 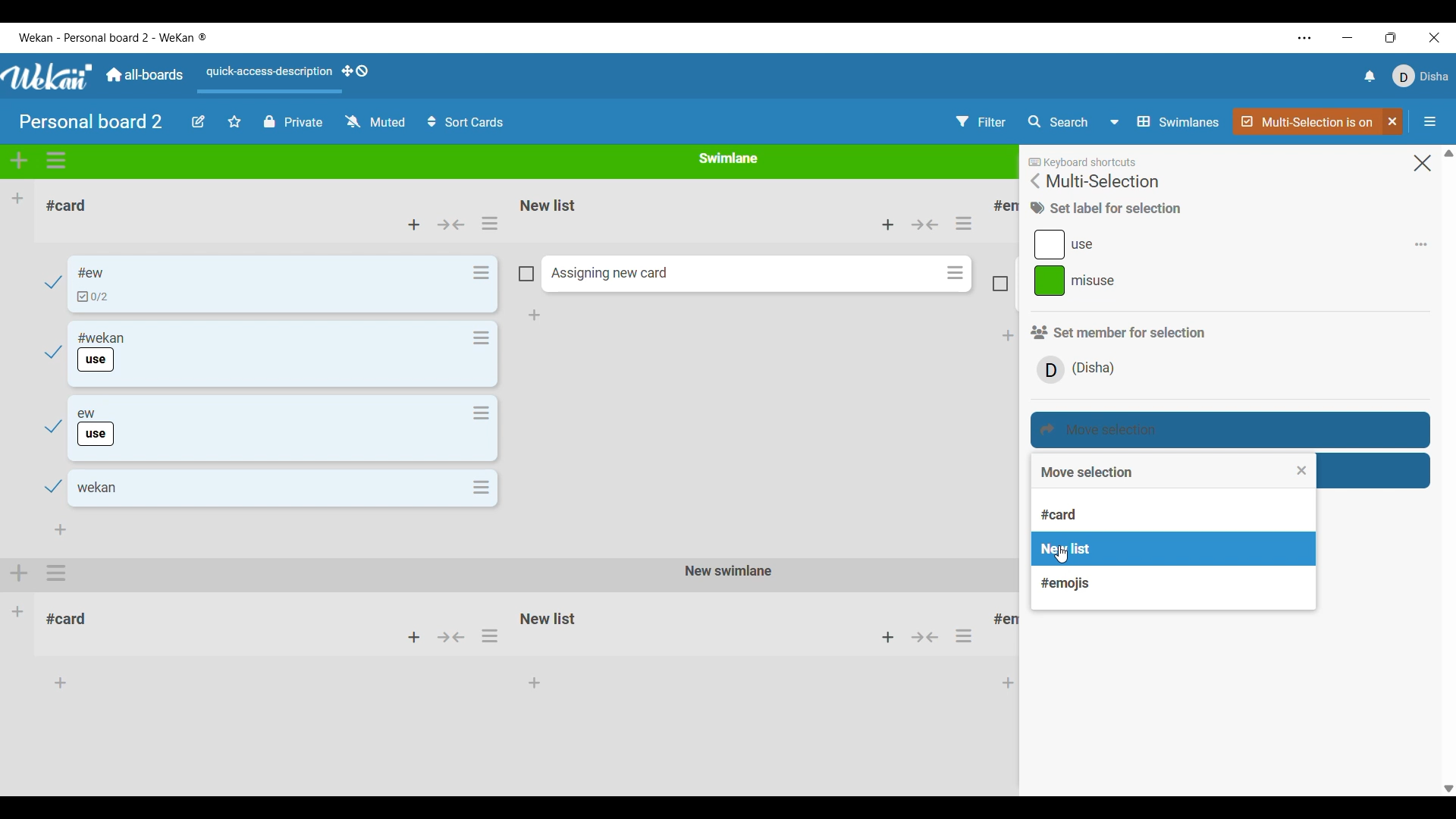 I want to click on Board title, so click(x=91, y=121).